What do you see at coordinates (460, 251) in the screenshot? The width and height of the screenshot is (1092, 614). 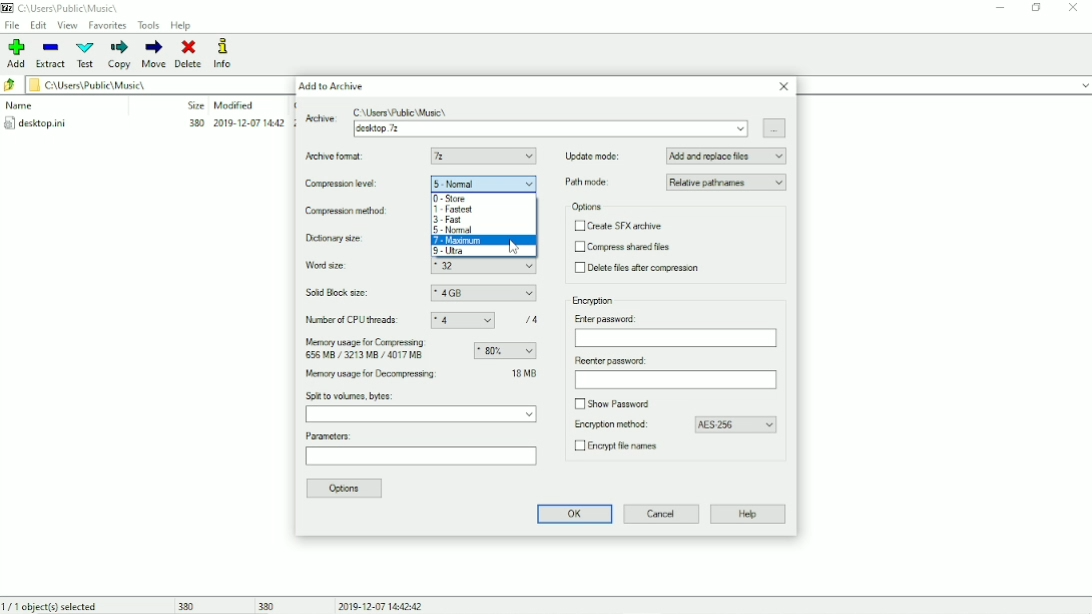 I see `9 - Ultra` at bounding box center [460, 251].